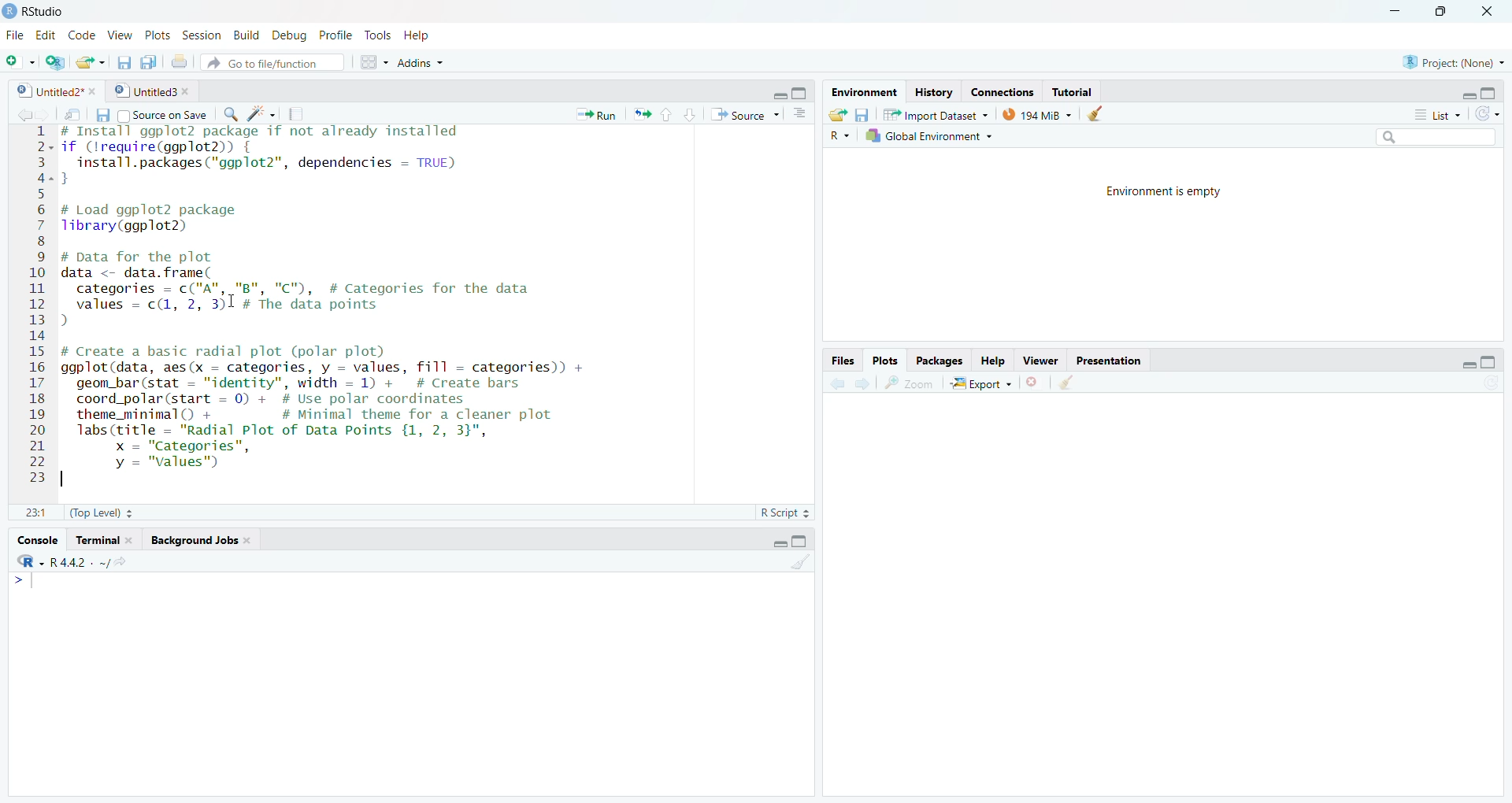  I want to click on Cleaner, so click(800, 564).